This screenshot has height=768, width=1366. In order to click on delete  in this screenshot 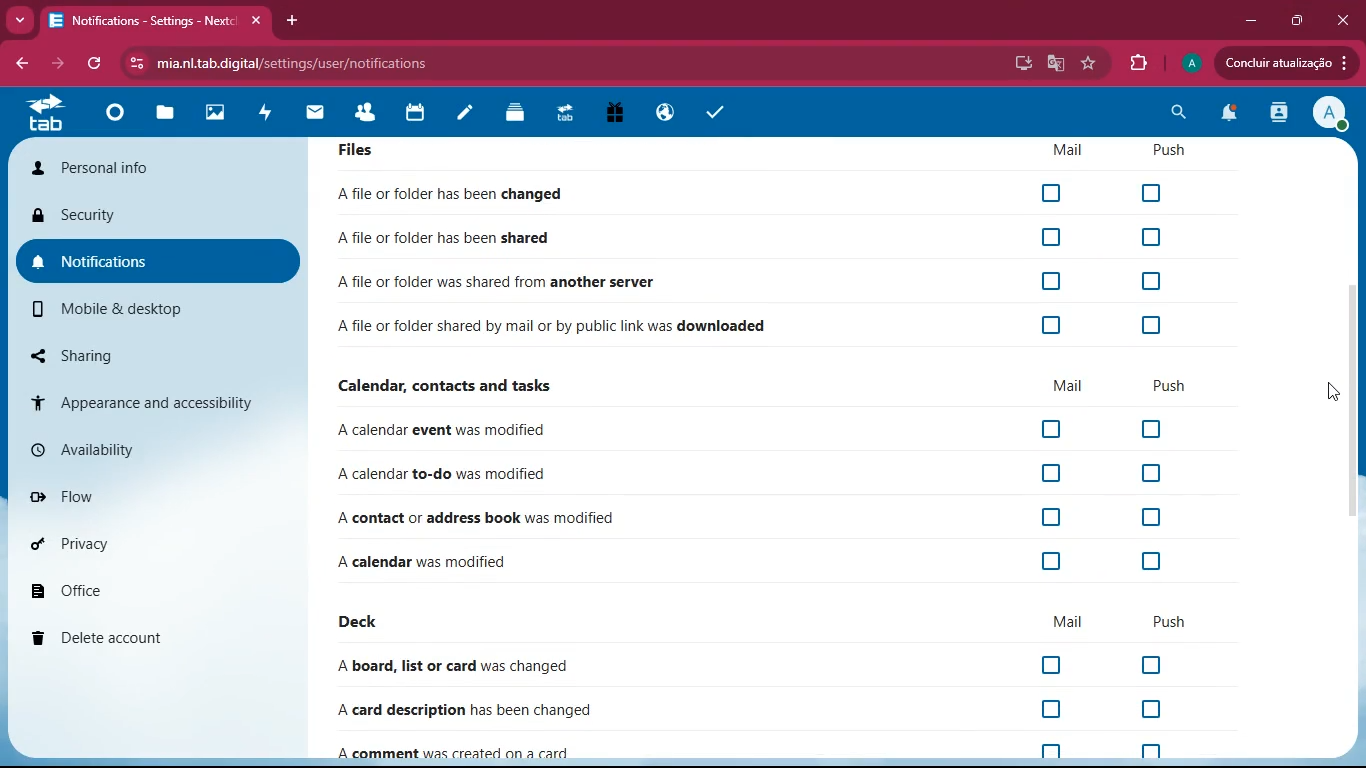, I will do `click(137, 632)`.